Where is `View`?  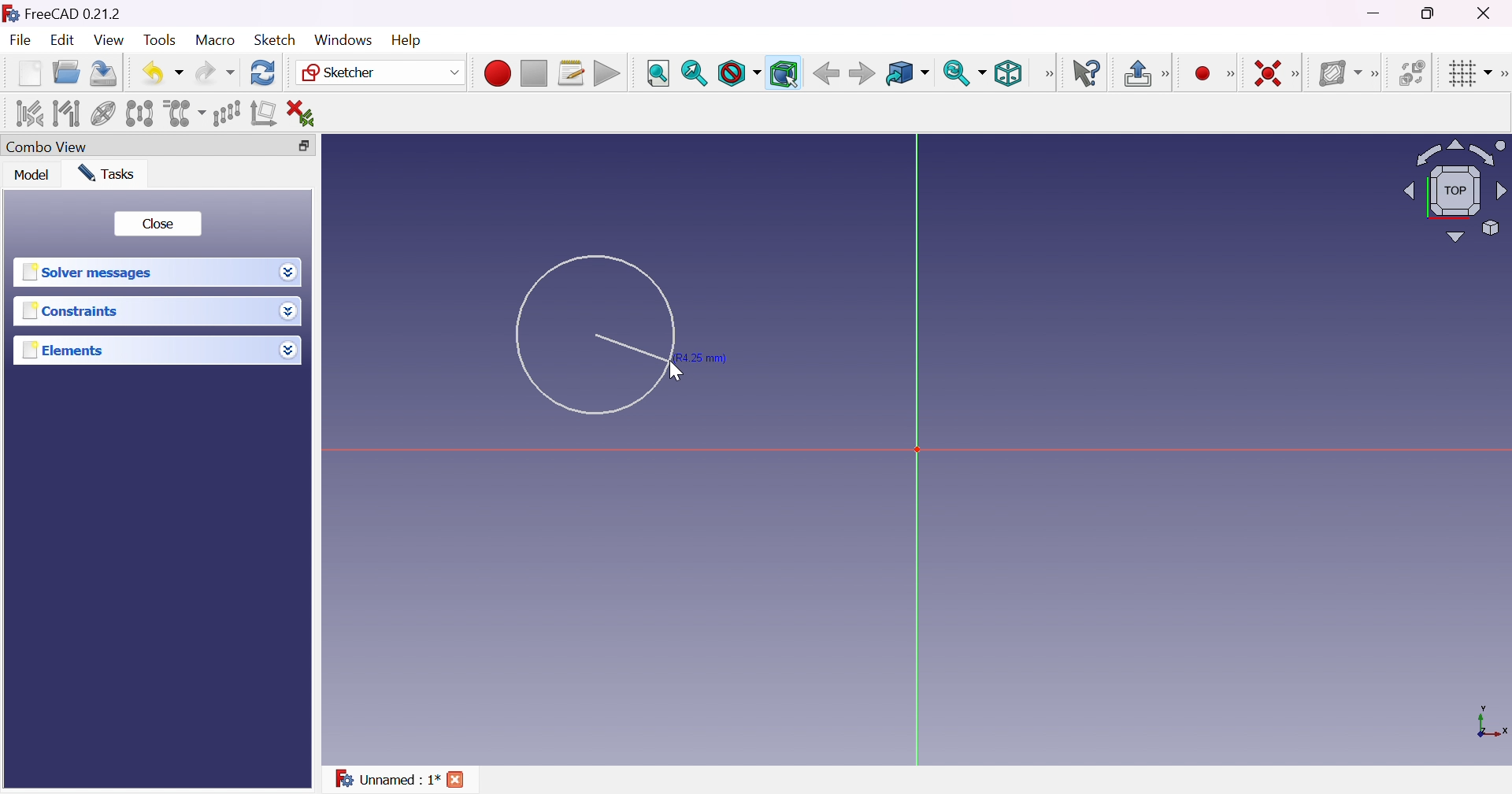 View is located at coordinates (108, 39).